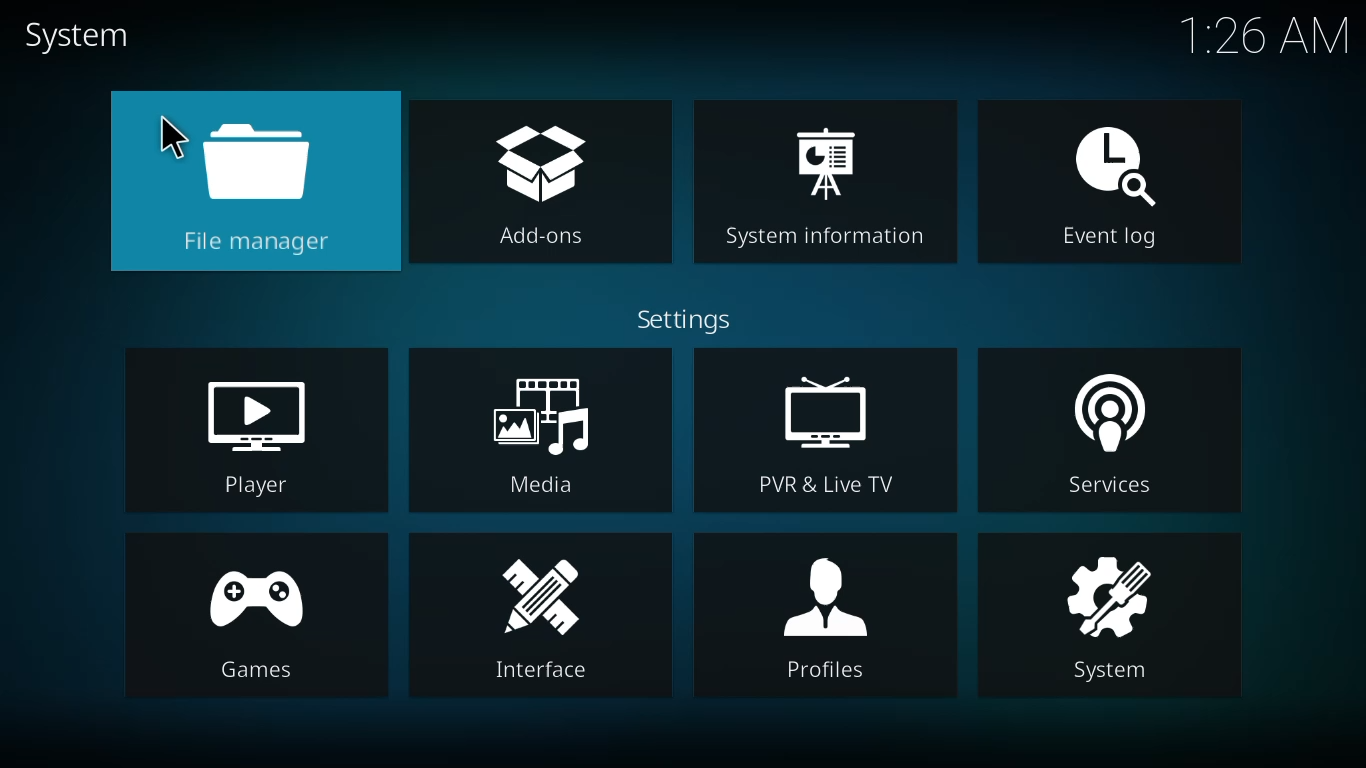  I want to click on event log, so click(1104, 182).